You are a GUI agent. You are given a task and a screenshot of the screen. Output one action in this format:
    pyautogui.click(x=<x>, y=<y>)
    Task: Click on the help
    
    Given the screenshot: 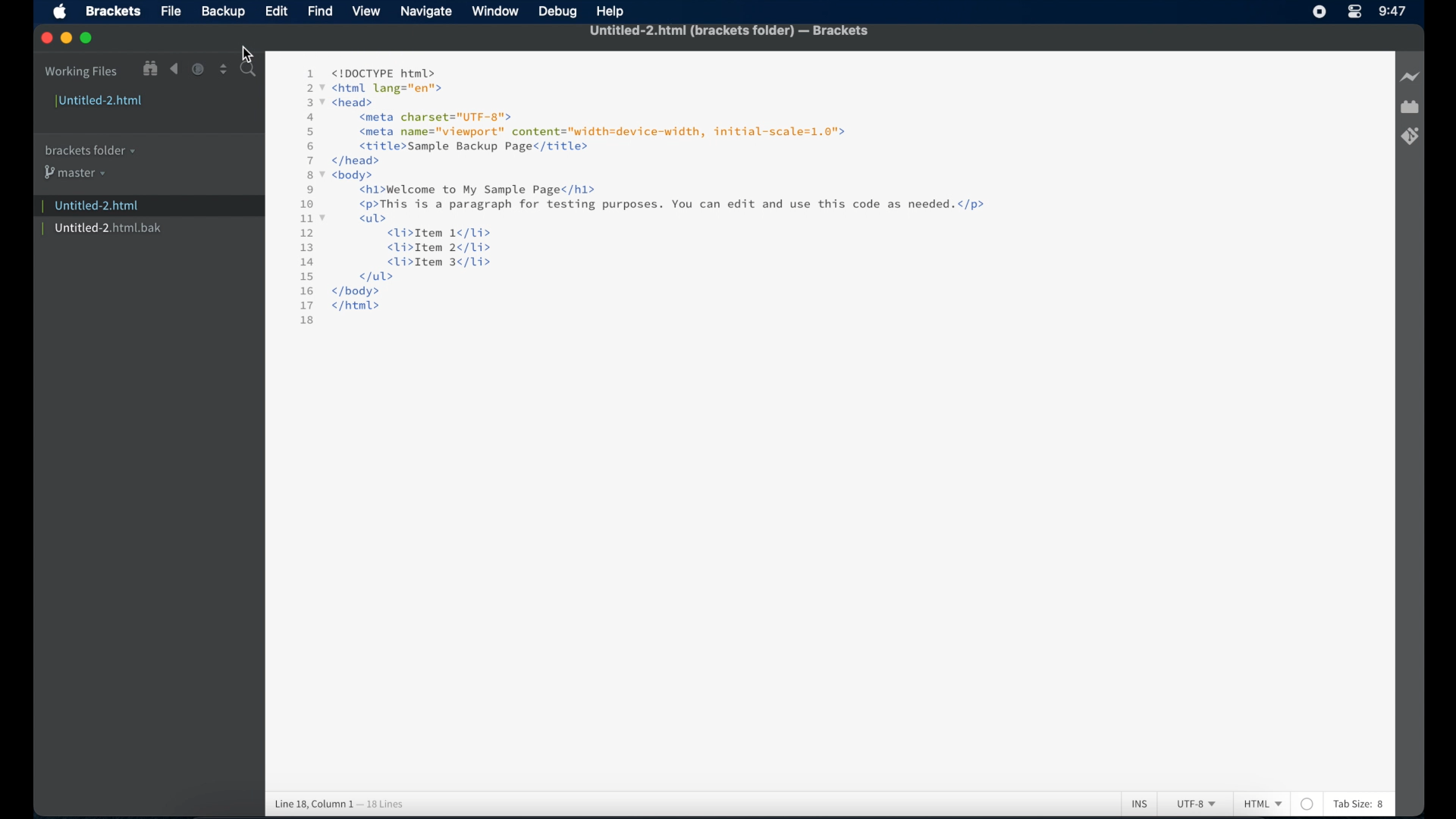 What is the action you would take?
    pyautogui.click(x=611, y=11)
    